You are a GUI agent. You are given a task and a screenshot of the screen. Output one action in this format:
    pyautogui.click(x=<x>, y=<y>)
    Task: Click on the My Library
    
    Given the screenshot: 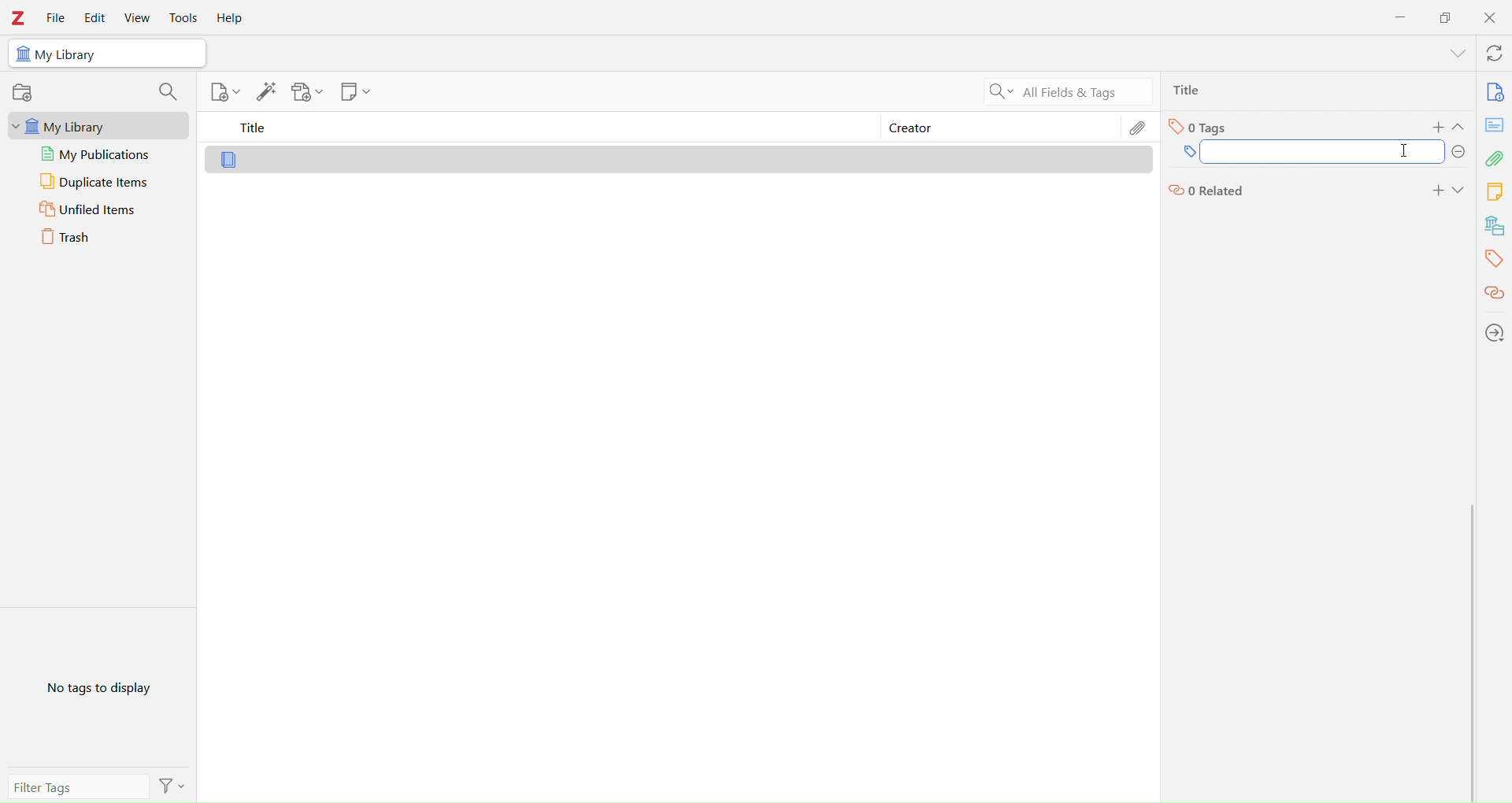 What is the action you would take?
    pyautogui.click(x=98, y=126)
    